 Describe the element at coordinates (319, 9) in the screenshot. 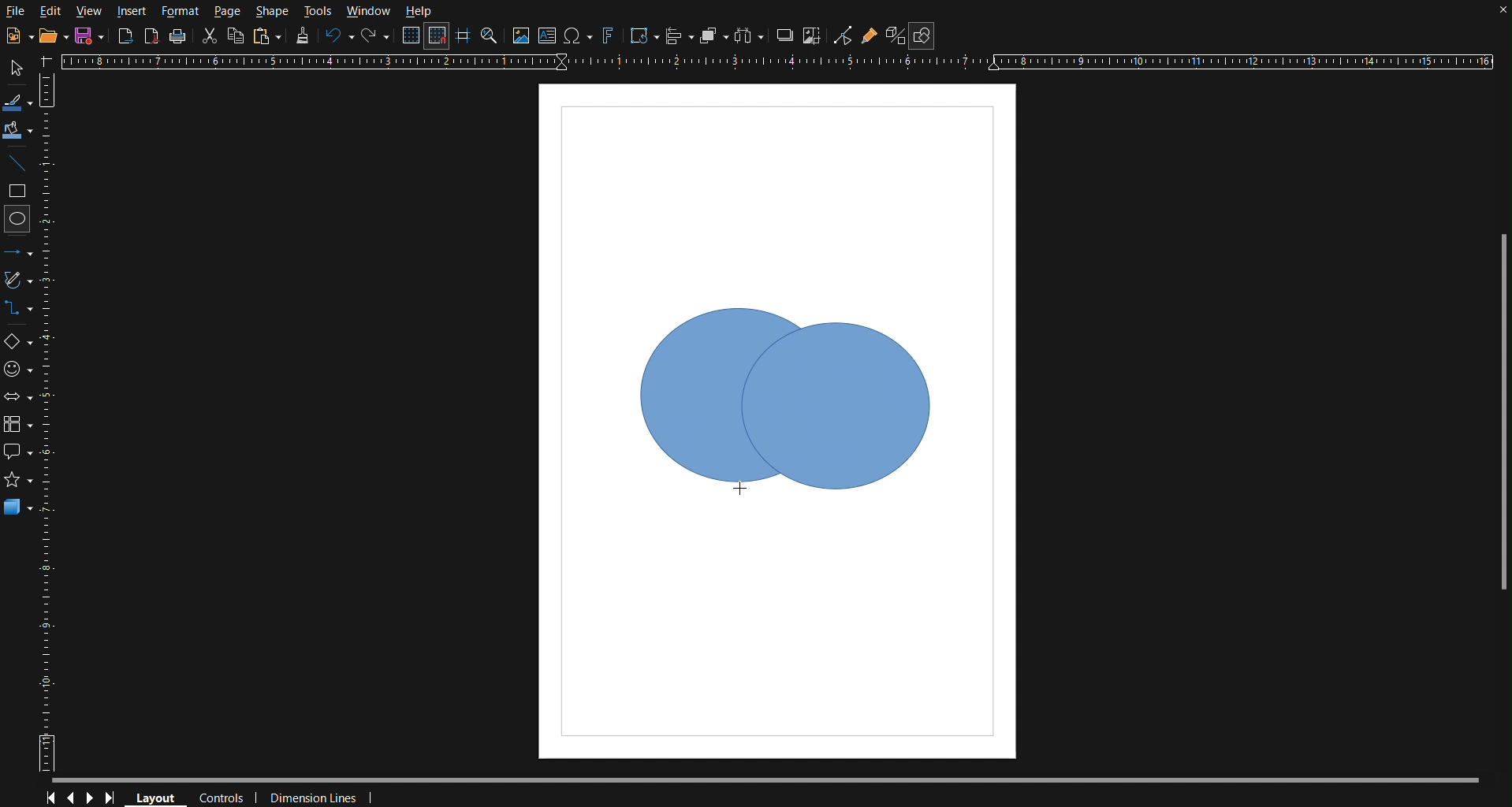

I see `Tools` at that location.